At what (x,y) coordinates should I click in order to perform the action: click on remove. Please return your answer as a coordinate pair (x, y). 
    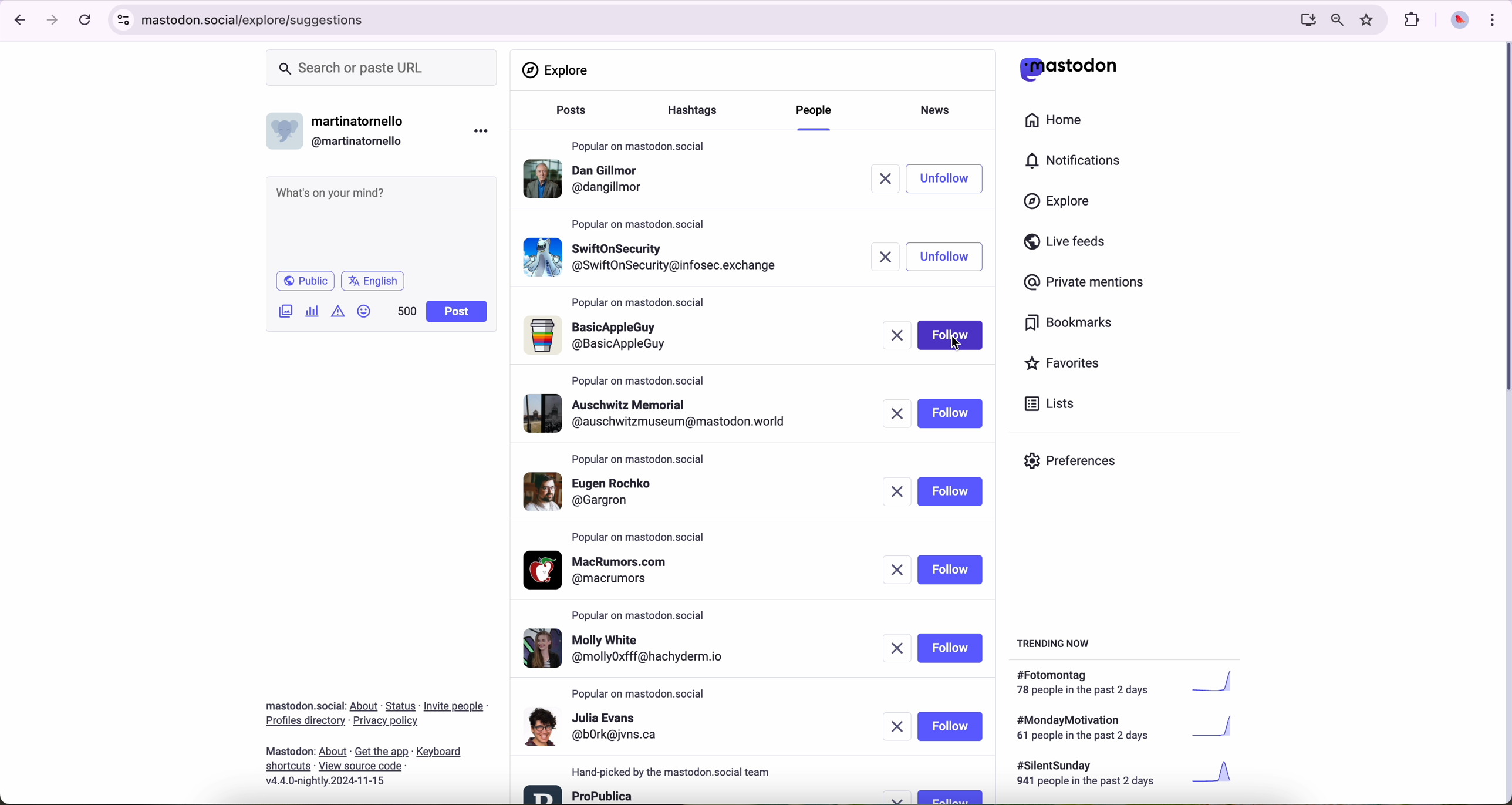
    Looking at the image, I should click on (896, 413).